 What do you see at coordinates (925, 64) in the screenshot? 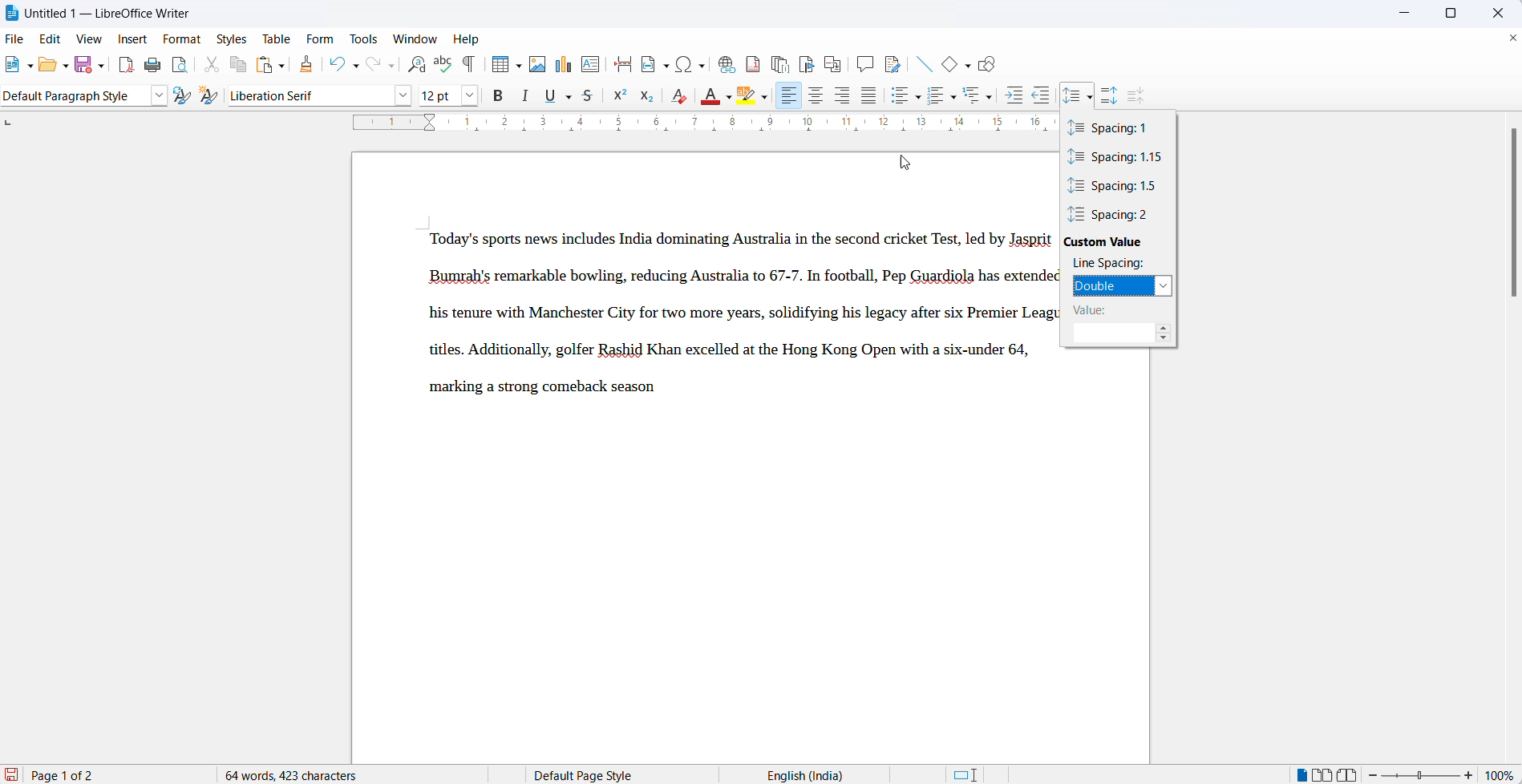
I see `insert line` at bounding box center [925, 64].